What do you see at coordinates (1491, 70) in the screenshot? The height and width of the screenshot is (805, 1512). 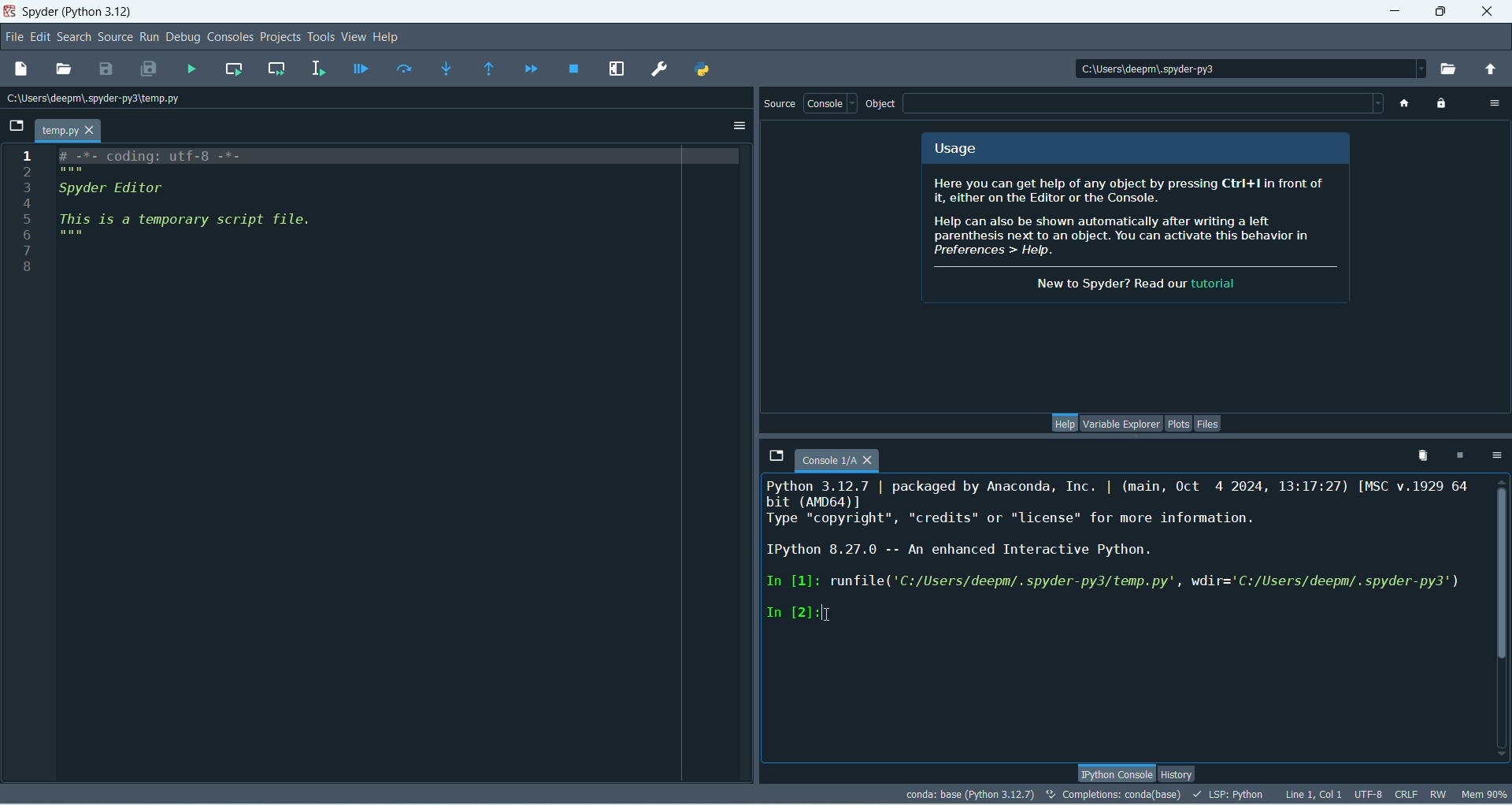 I see `change to parent directory` at bounding box center [1491, 70].